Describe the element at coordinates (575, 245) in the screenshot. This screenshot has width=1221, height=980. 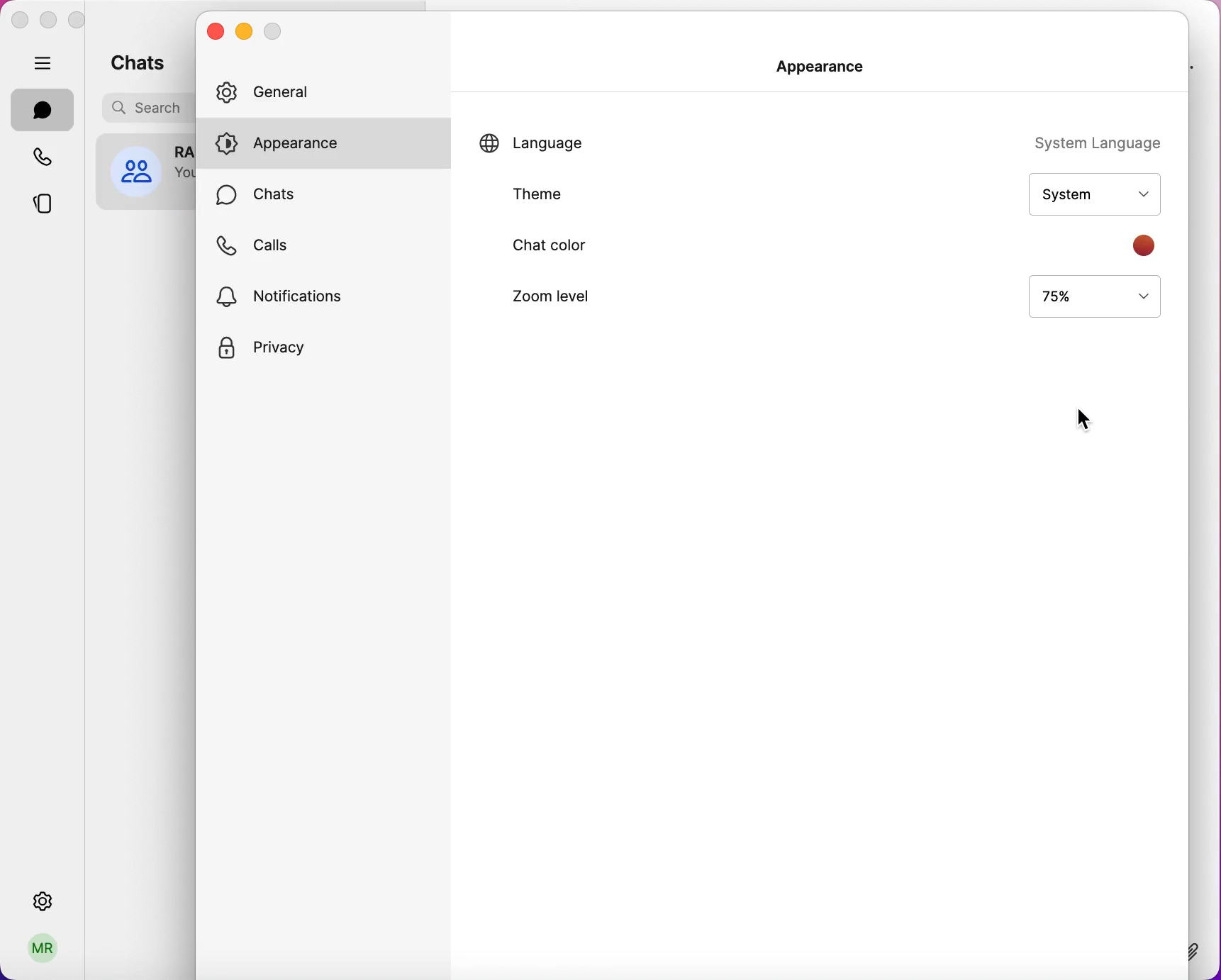
I see `chat color` at that location.